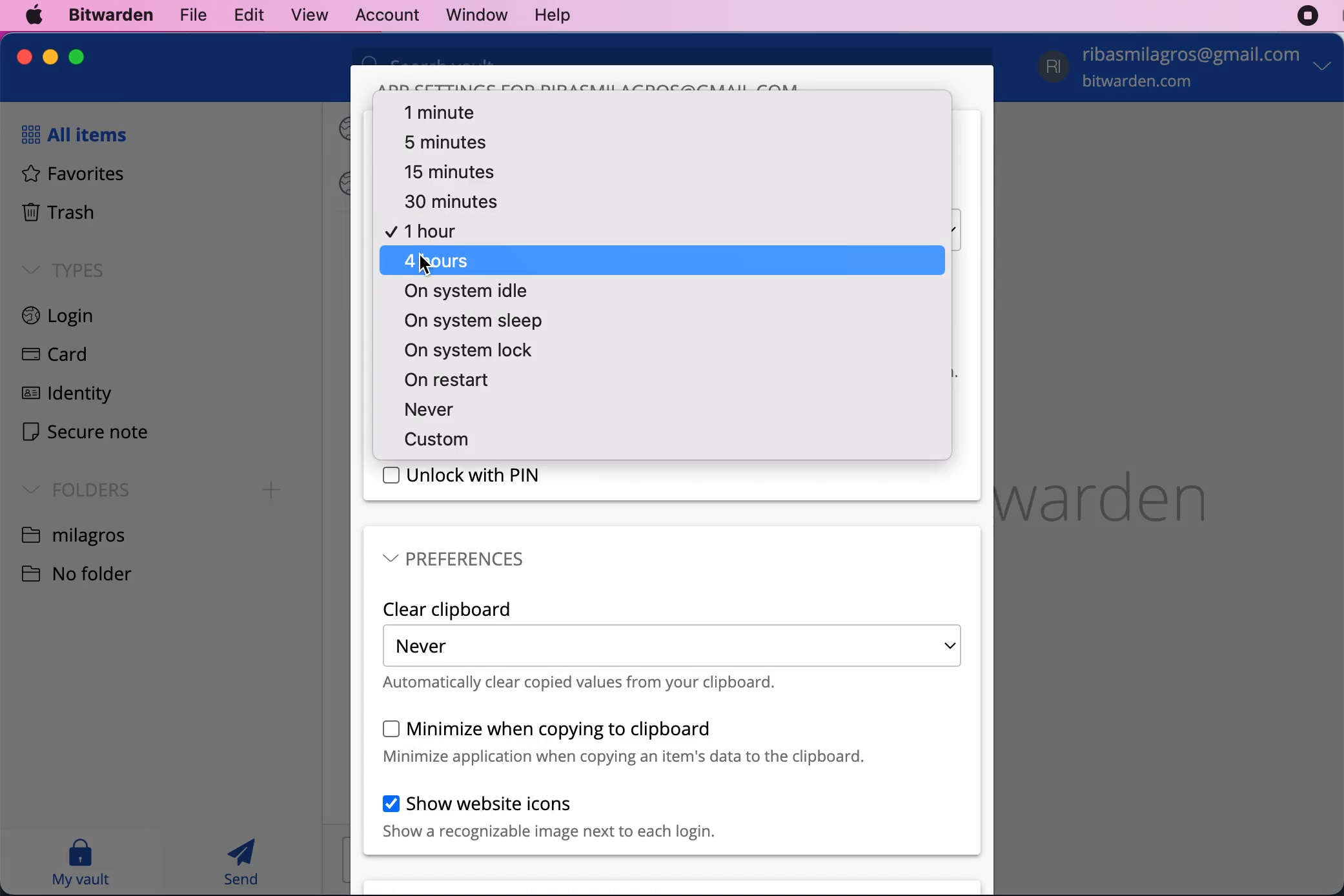  I want to click on Add folder, so click(272, 490).